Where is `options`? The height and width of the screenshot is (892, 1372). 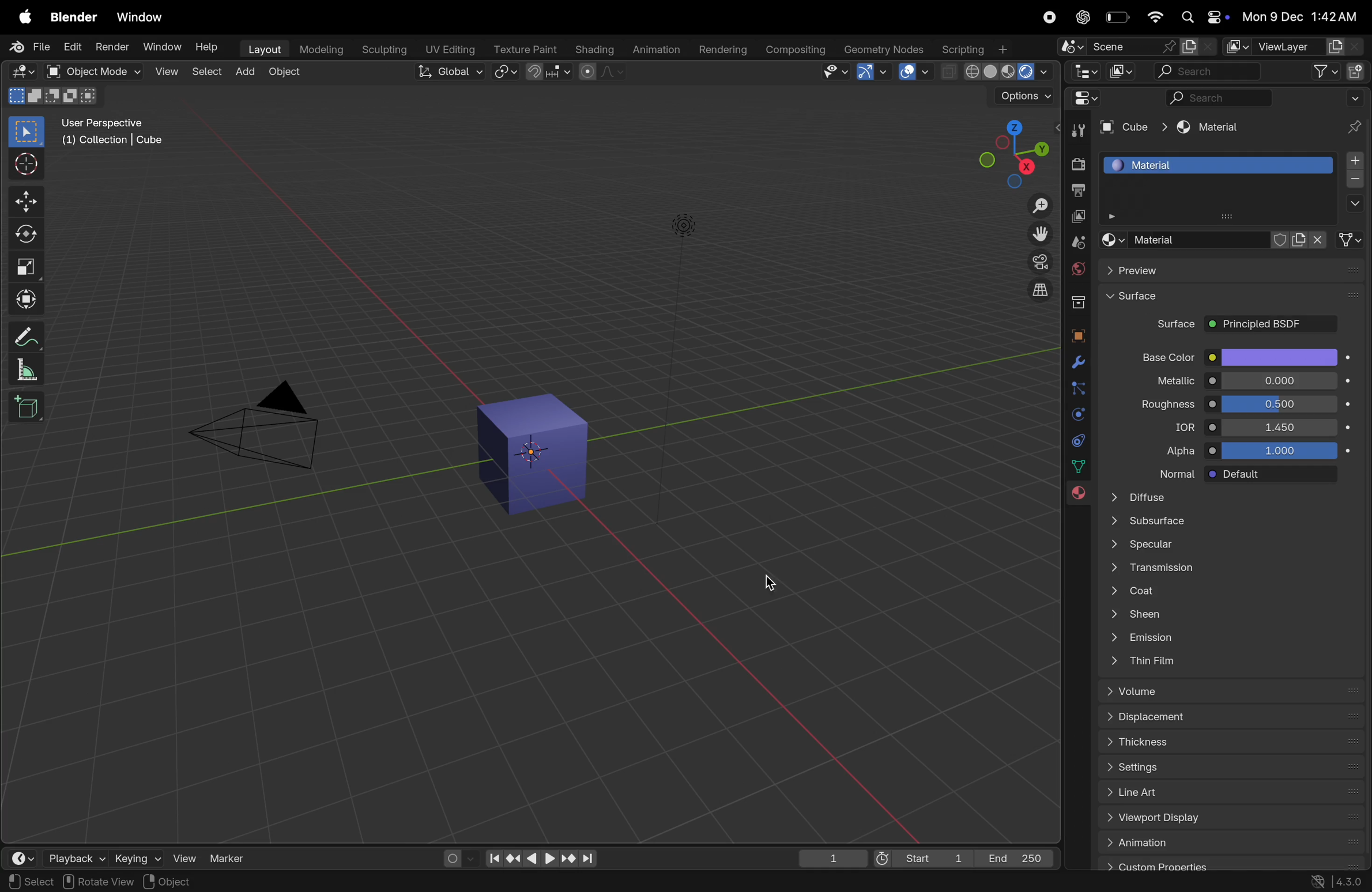 options is located at coordinates (1354, 205).